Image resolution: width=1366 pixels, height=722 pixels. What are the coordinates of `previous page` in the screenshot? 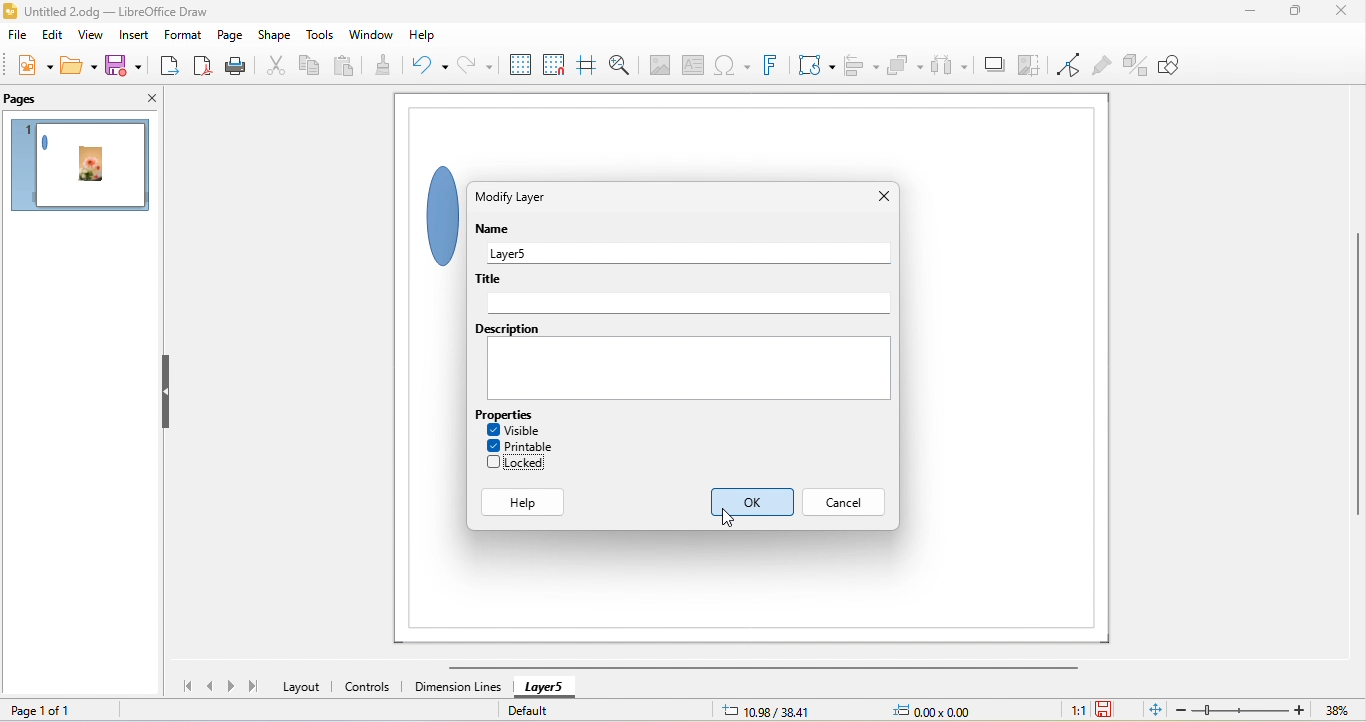 It's located at (211, 686).